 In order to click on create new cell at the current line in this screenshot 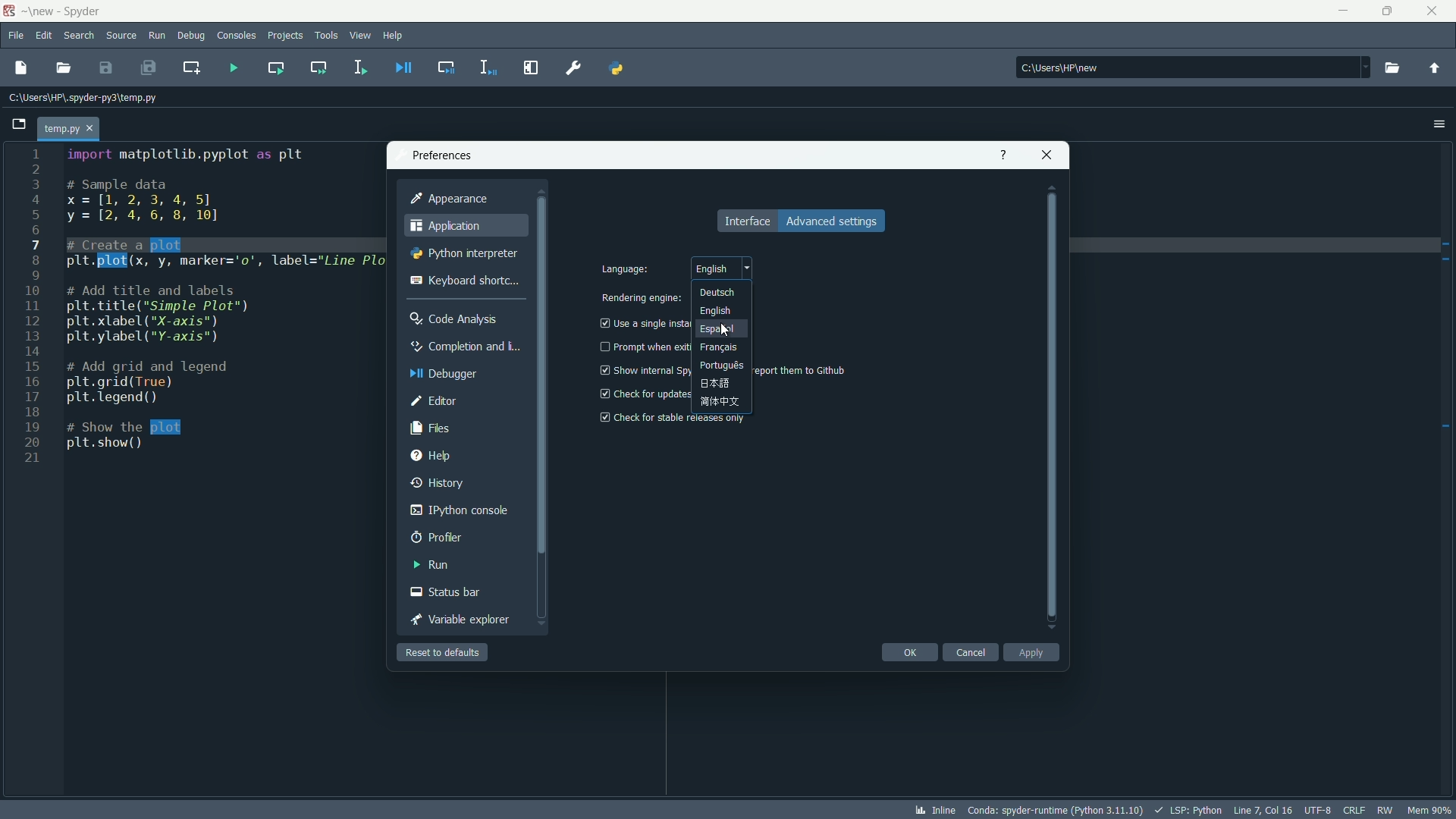, I will do `click(190, 67)`.